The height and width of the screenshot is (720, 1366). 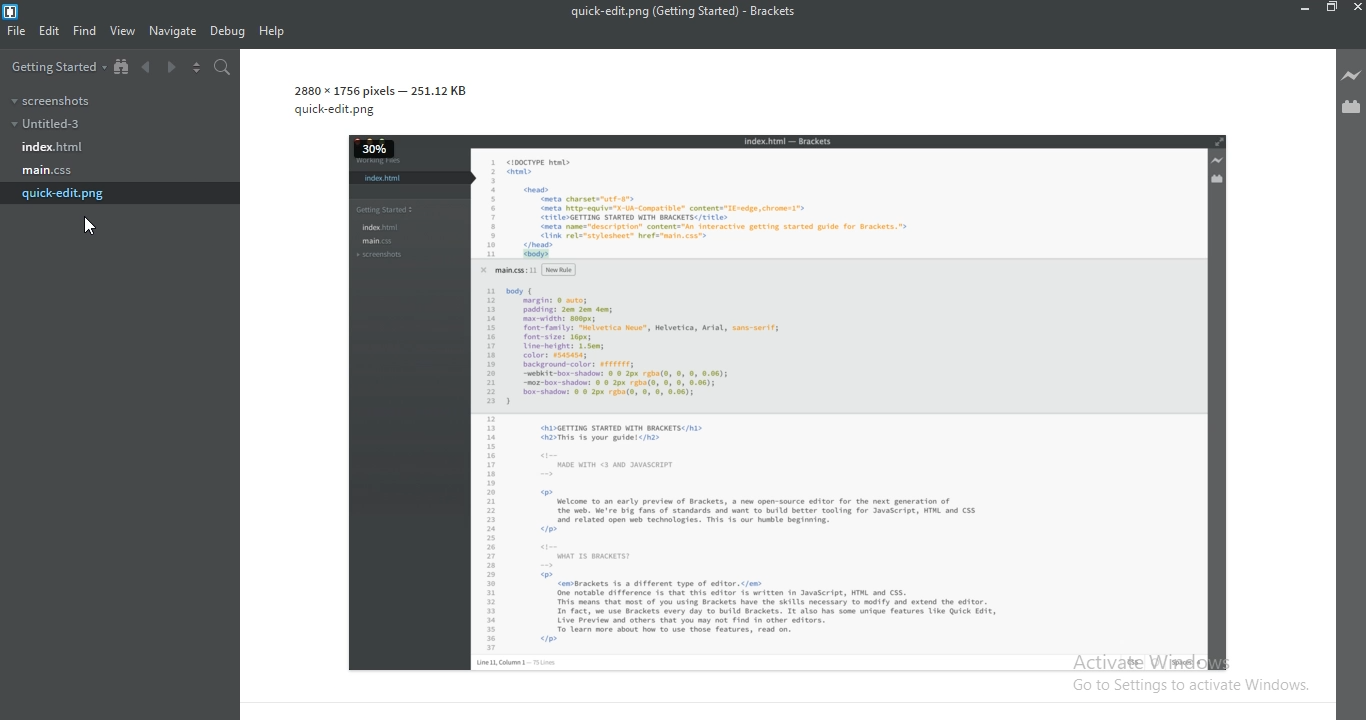 What do you see at coordinates (220, 67) in the screenshot?
I see `search` at bounding box center [220, 67].